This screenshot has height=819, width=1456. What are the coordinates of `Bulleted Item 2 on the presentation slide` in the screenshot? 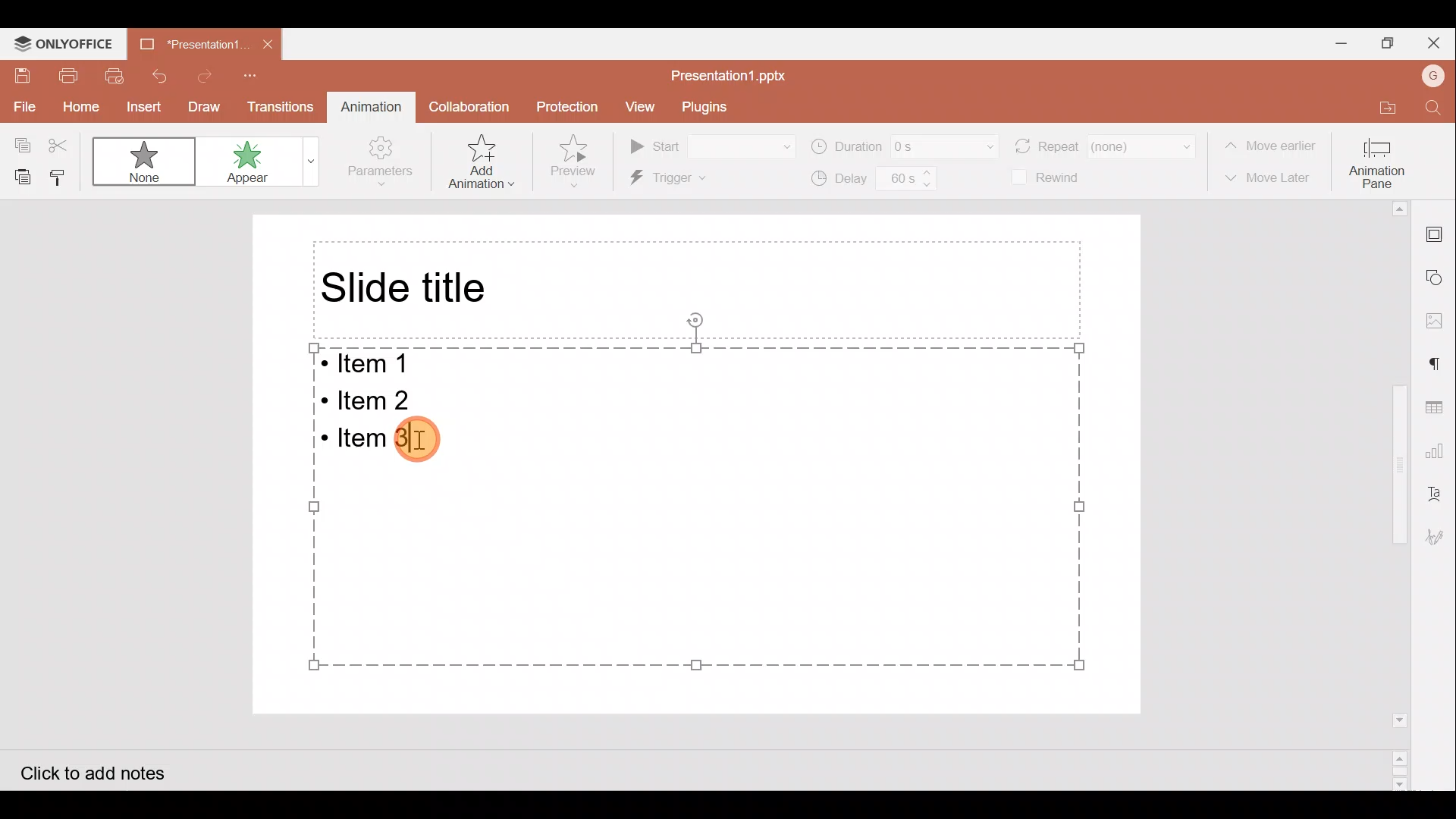 It's located at (375, 398).